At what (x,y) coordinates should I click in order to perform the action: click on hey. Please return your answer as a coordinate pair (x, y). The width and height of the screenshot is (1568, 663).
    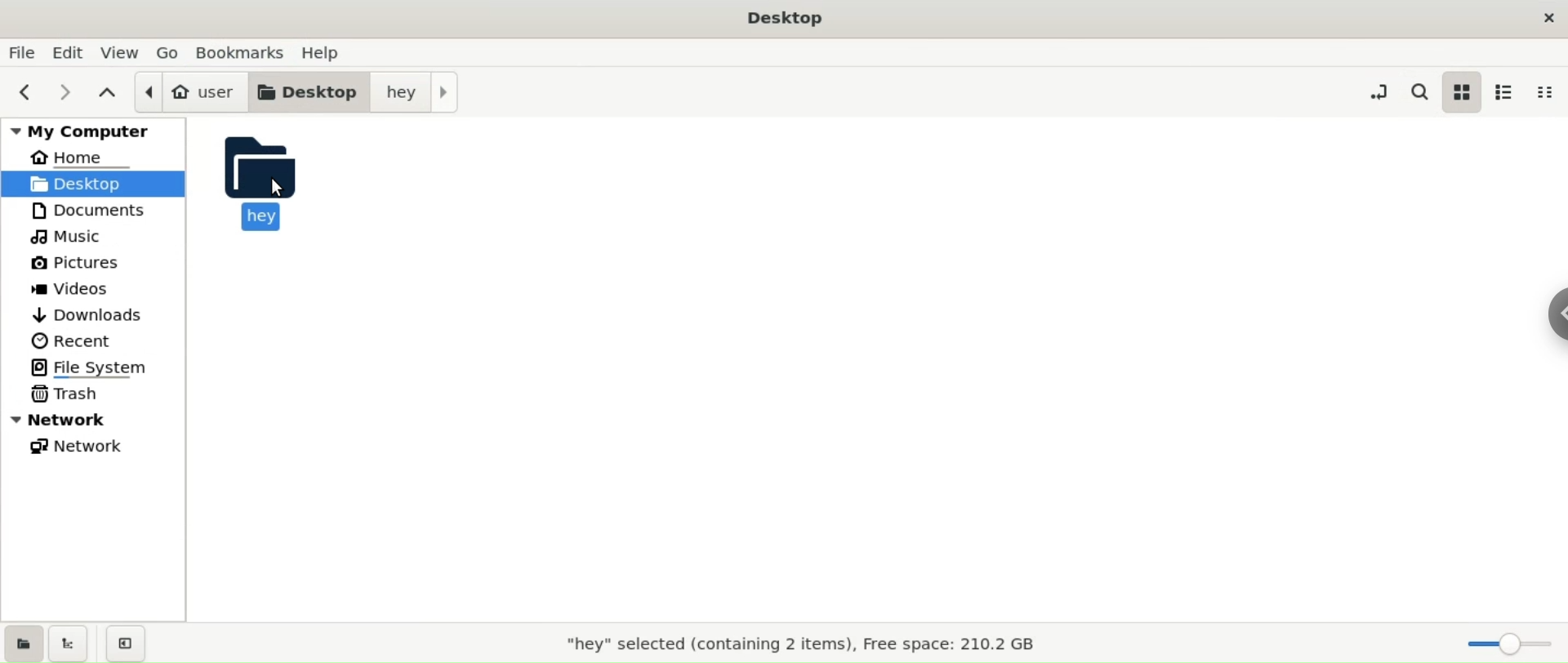
    Looking at the image, I should click on (415, 92).